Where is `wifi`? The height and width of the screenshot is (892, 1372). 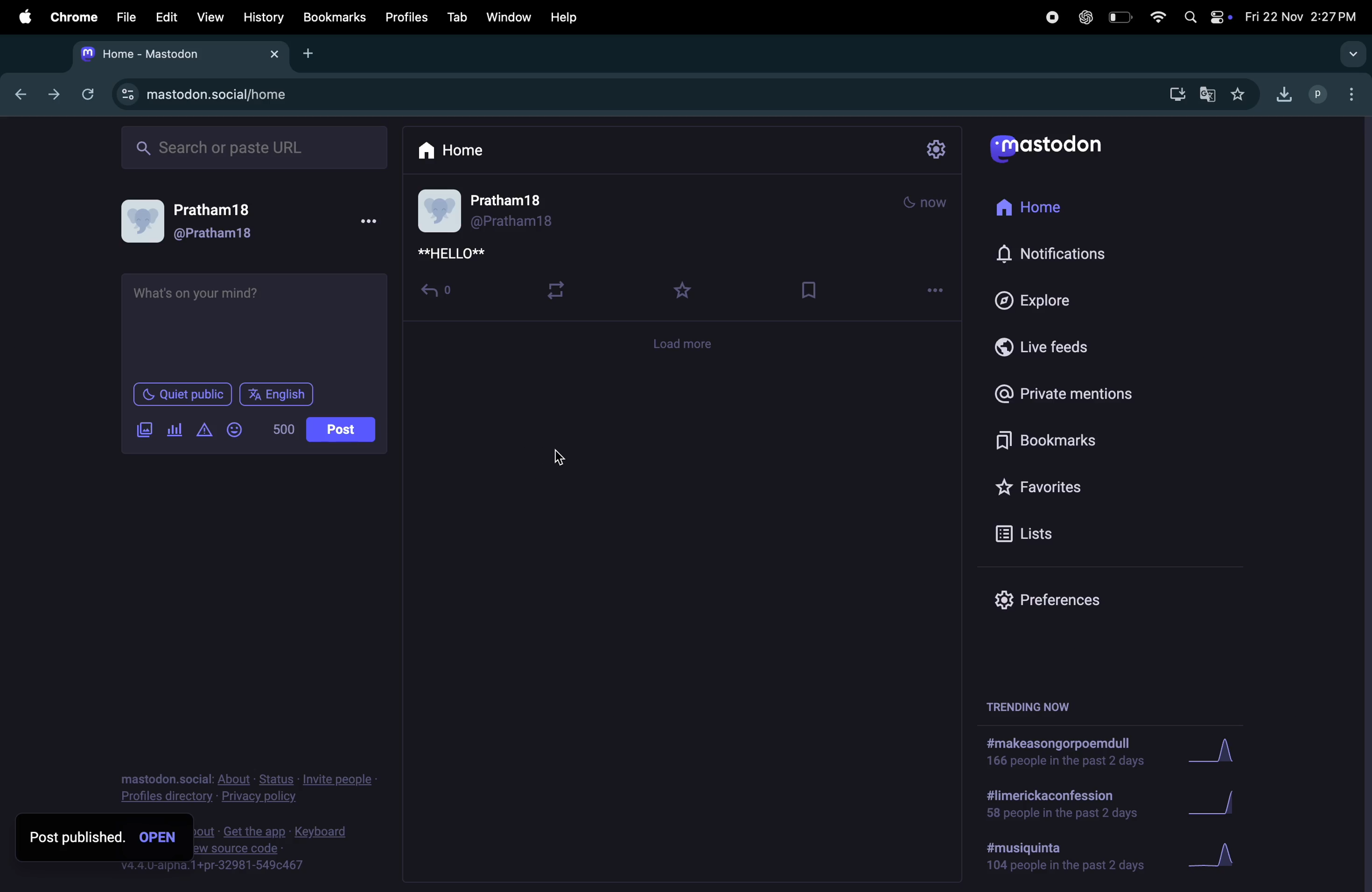 wifi is located at coordinates (1159, 18).